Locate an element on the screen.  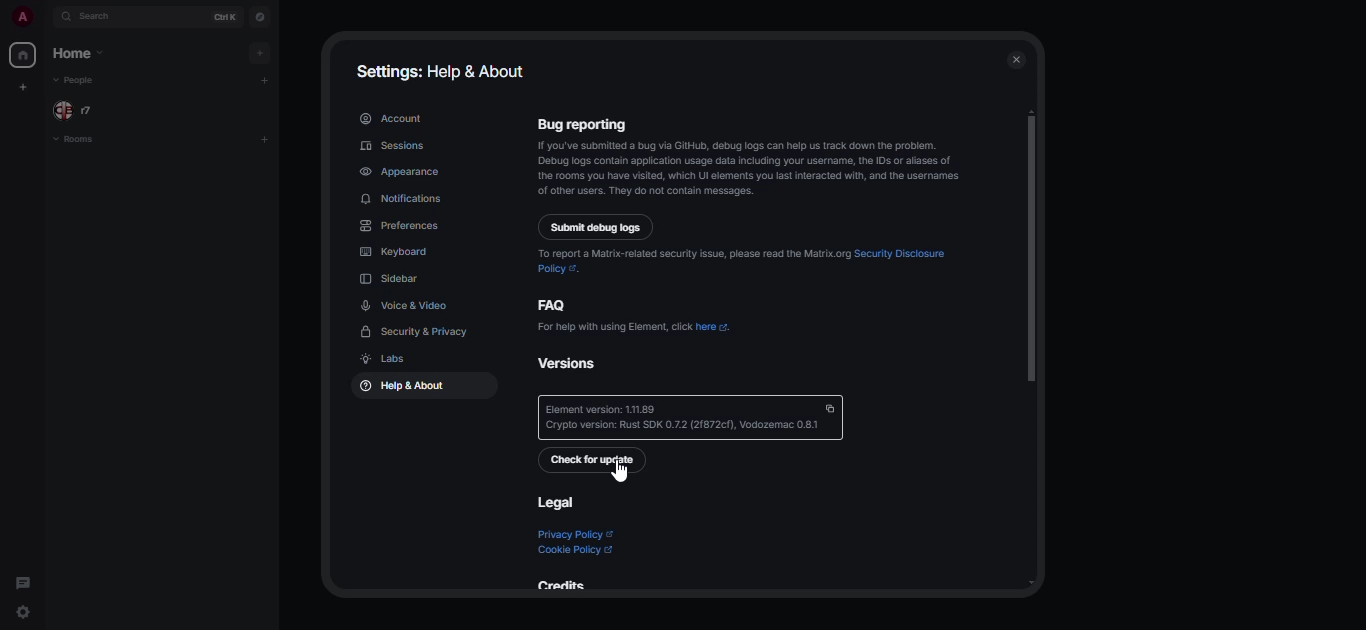
sessions is located at coordinates (397, 146).